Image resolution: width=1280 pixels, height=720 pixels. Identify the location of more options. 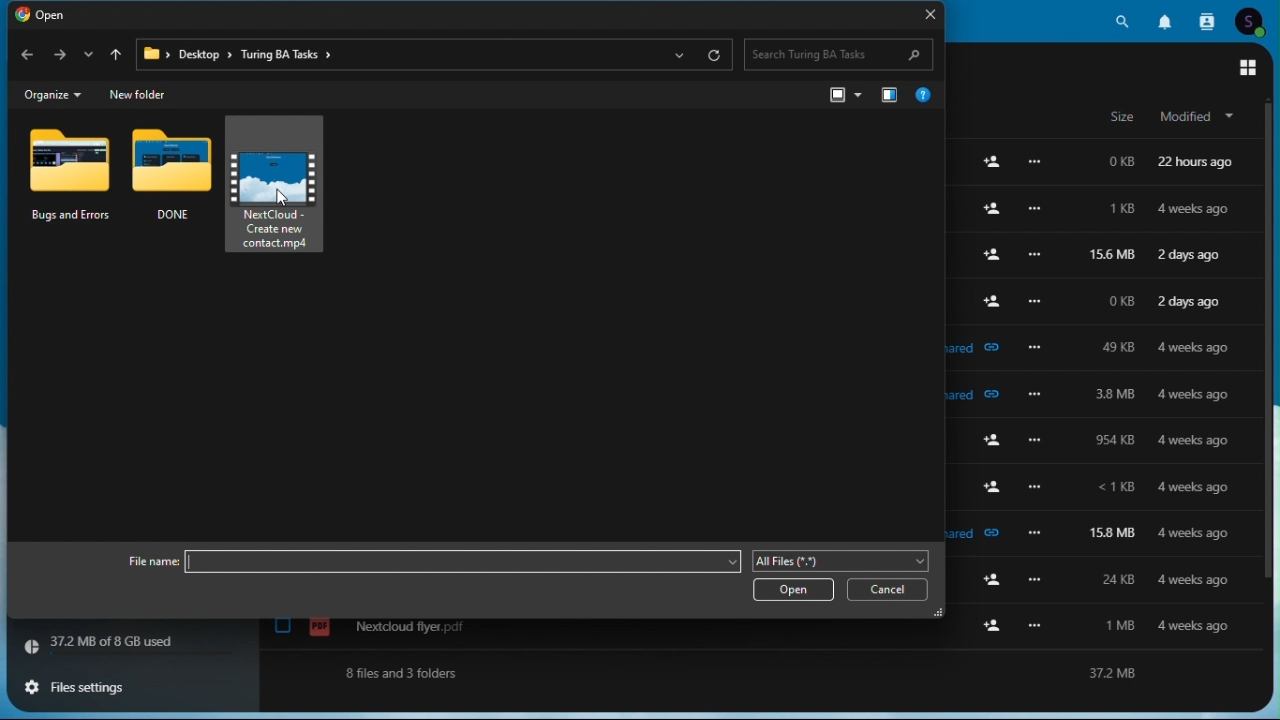
(1034, 257).